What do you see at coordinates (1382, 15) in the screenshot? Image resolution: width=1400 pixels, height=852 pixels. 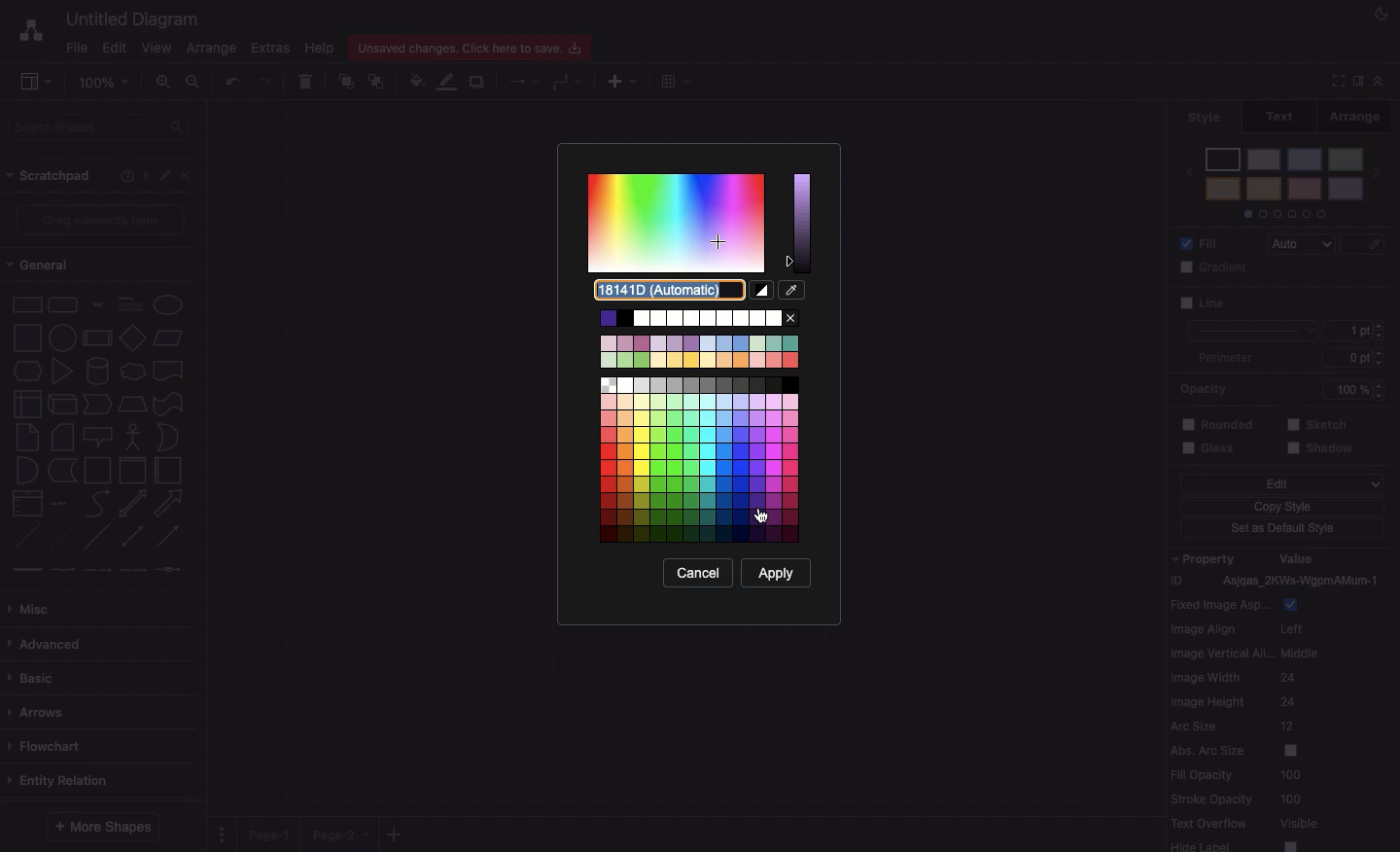 I see `Night mode` at bounding box center [1382, 15].